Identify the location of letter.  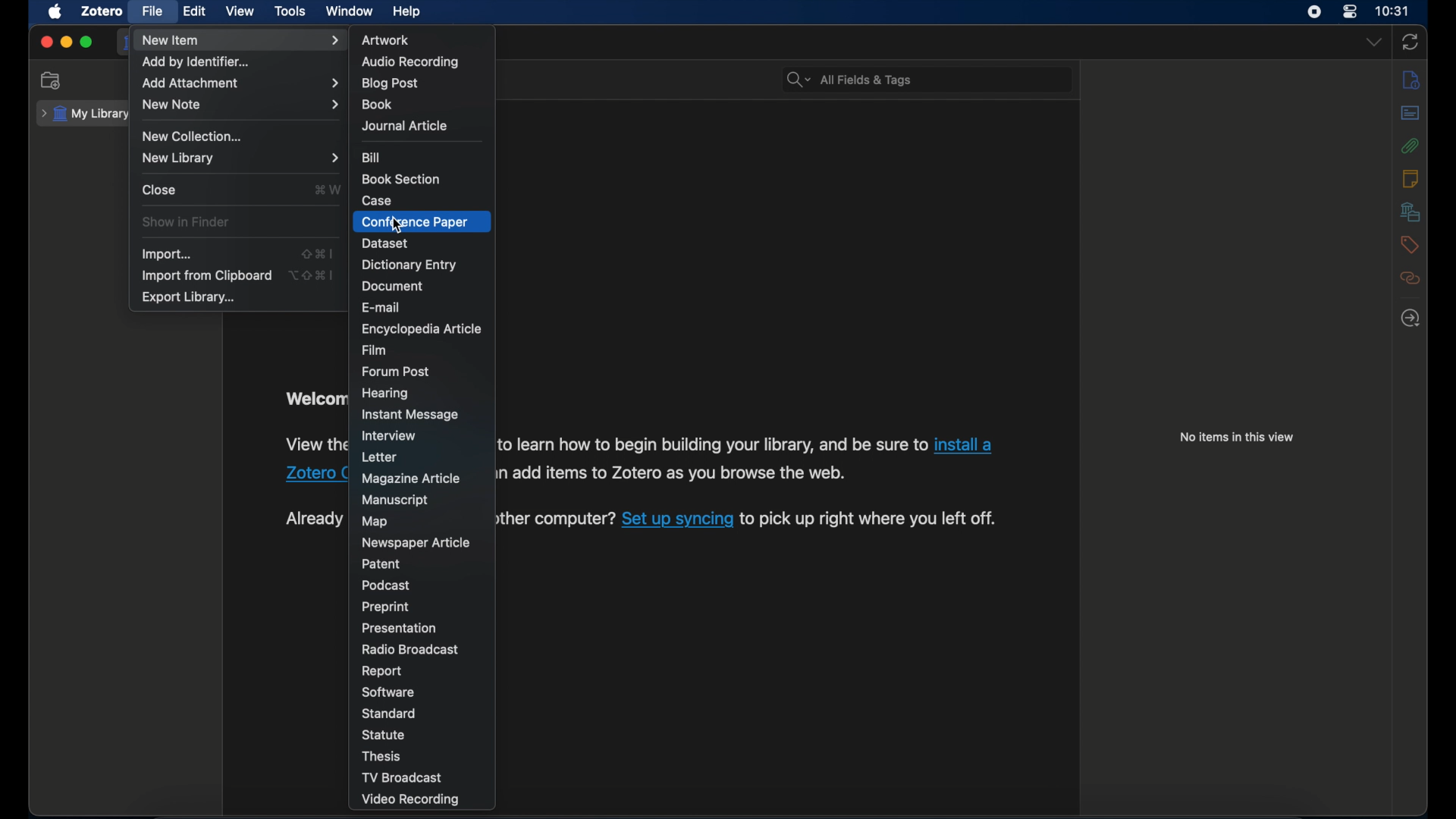
(378, 458).